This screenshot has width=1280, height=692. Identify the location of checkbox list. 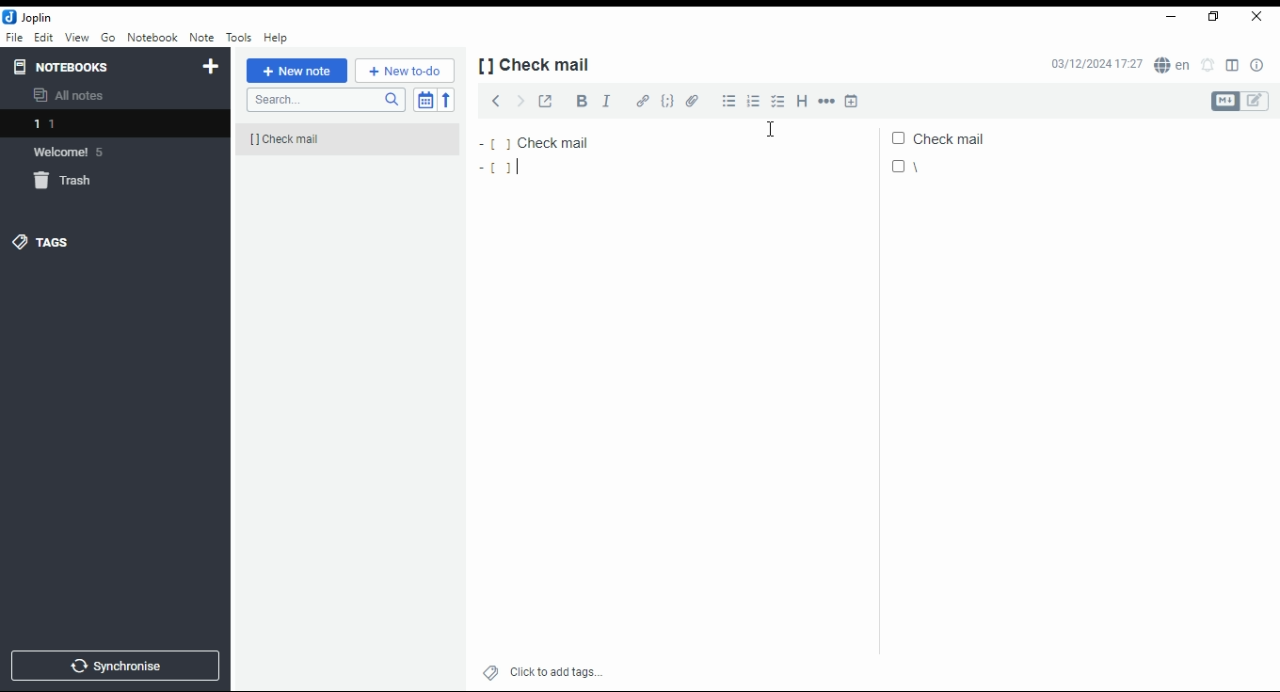
(776, 100).